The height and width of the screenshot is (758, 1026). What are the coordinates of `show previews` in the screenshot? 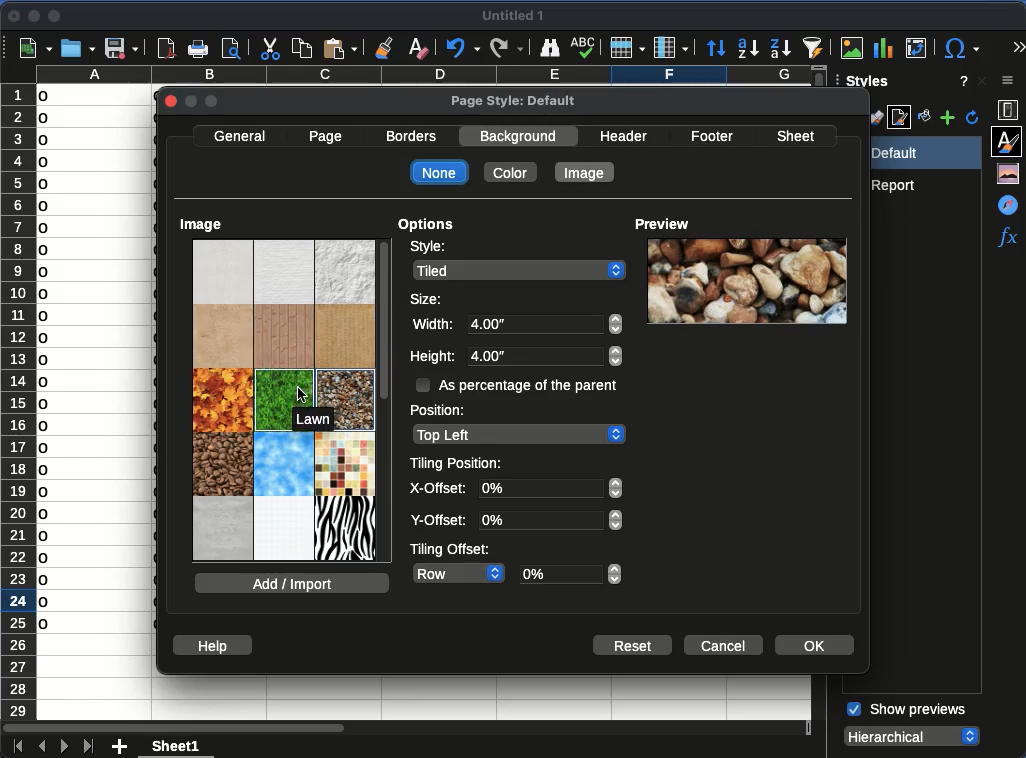 It's located at (905, 710).